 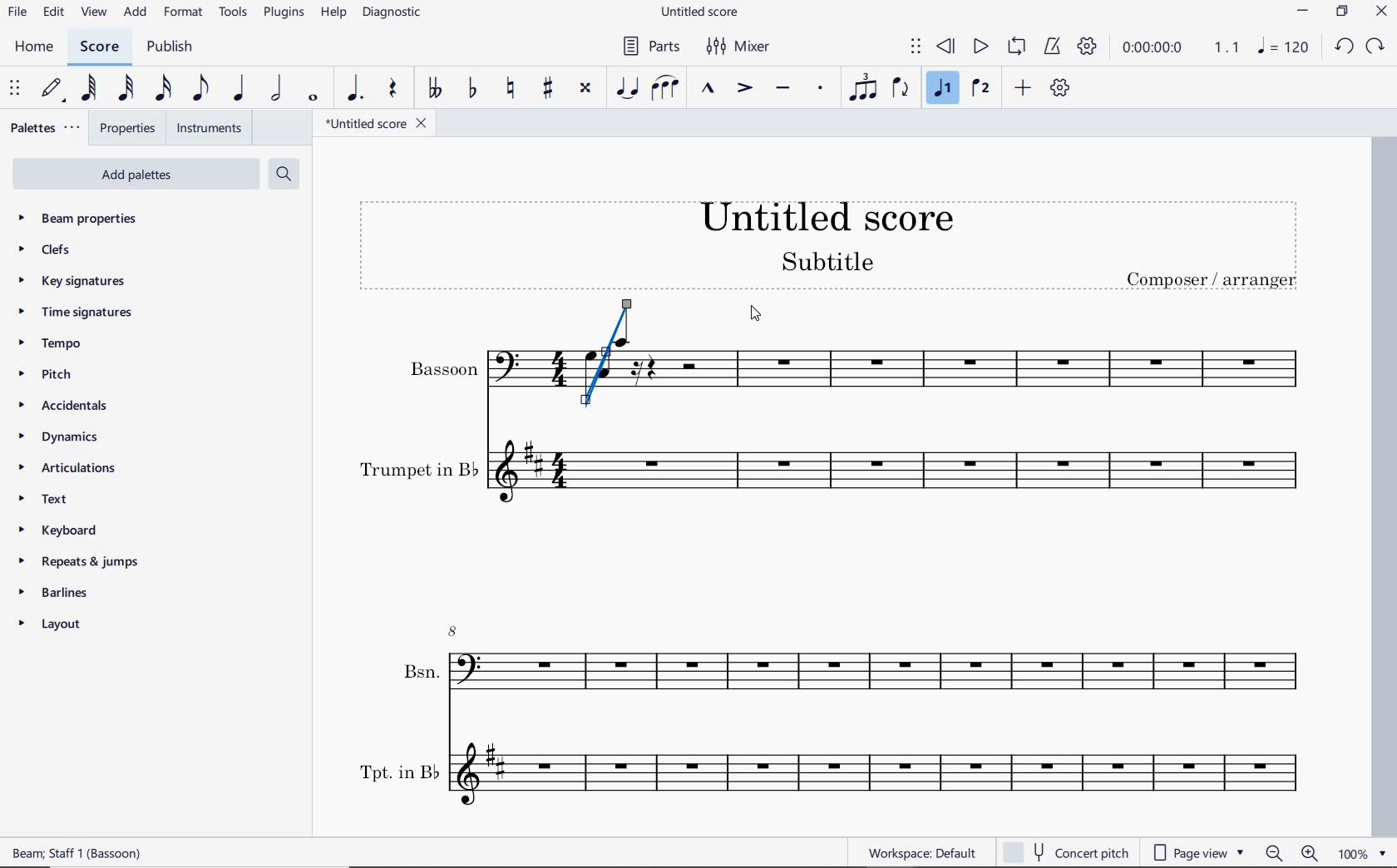 What do you see at coordinates (847, 777) in the screenshot?
I see `Tpt. in B` at bounding box center [847, 777].